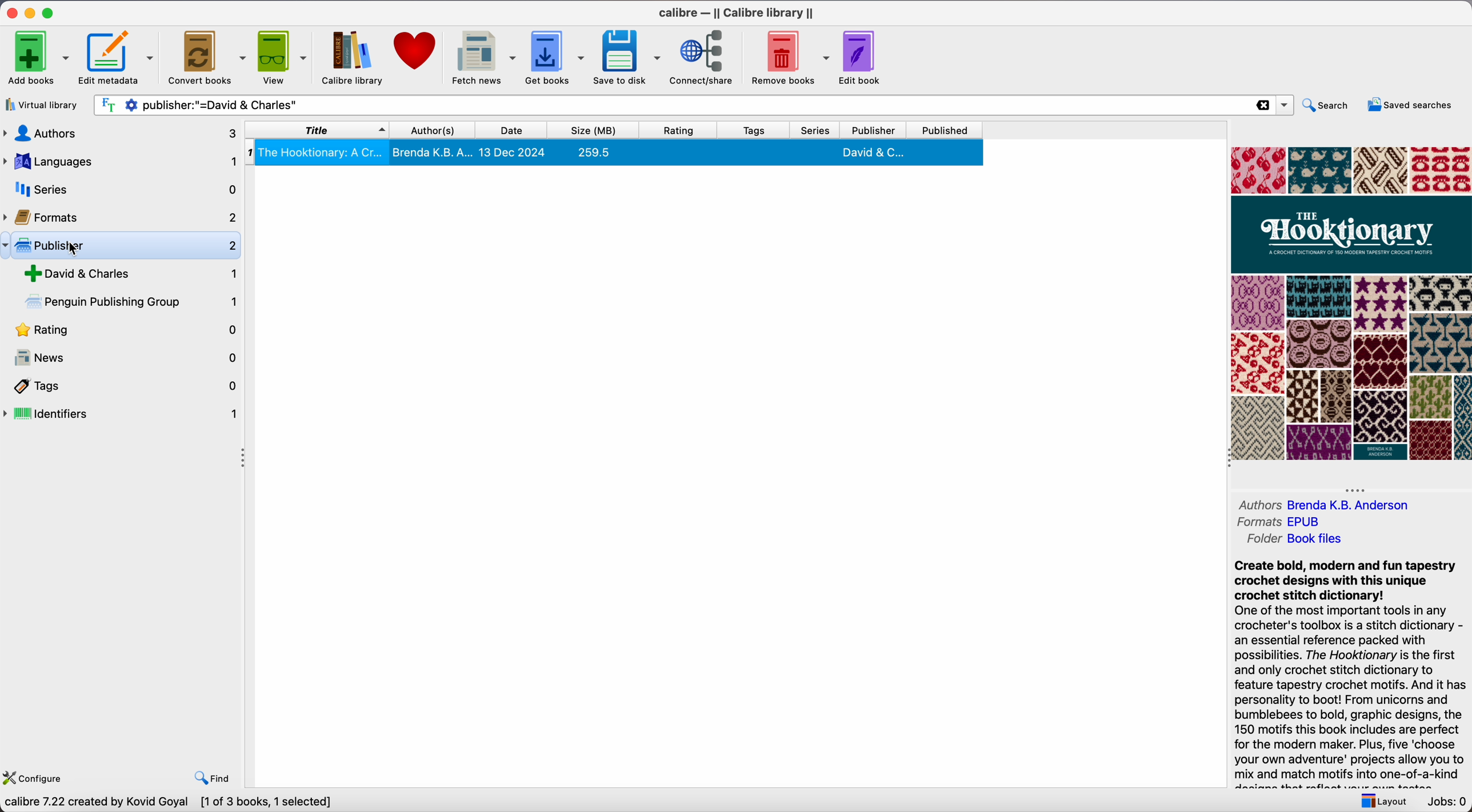  What do you see at coordinates (317, 129) in the screenshot?
I see `title` at bounding box center [317, 129].